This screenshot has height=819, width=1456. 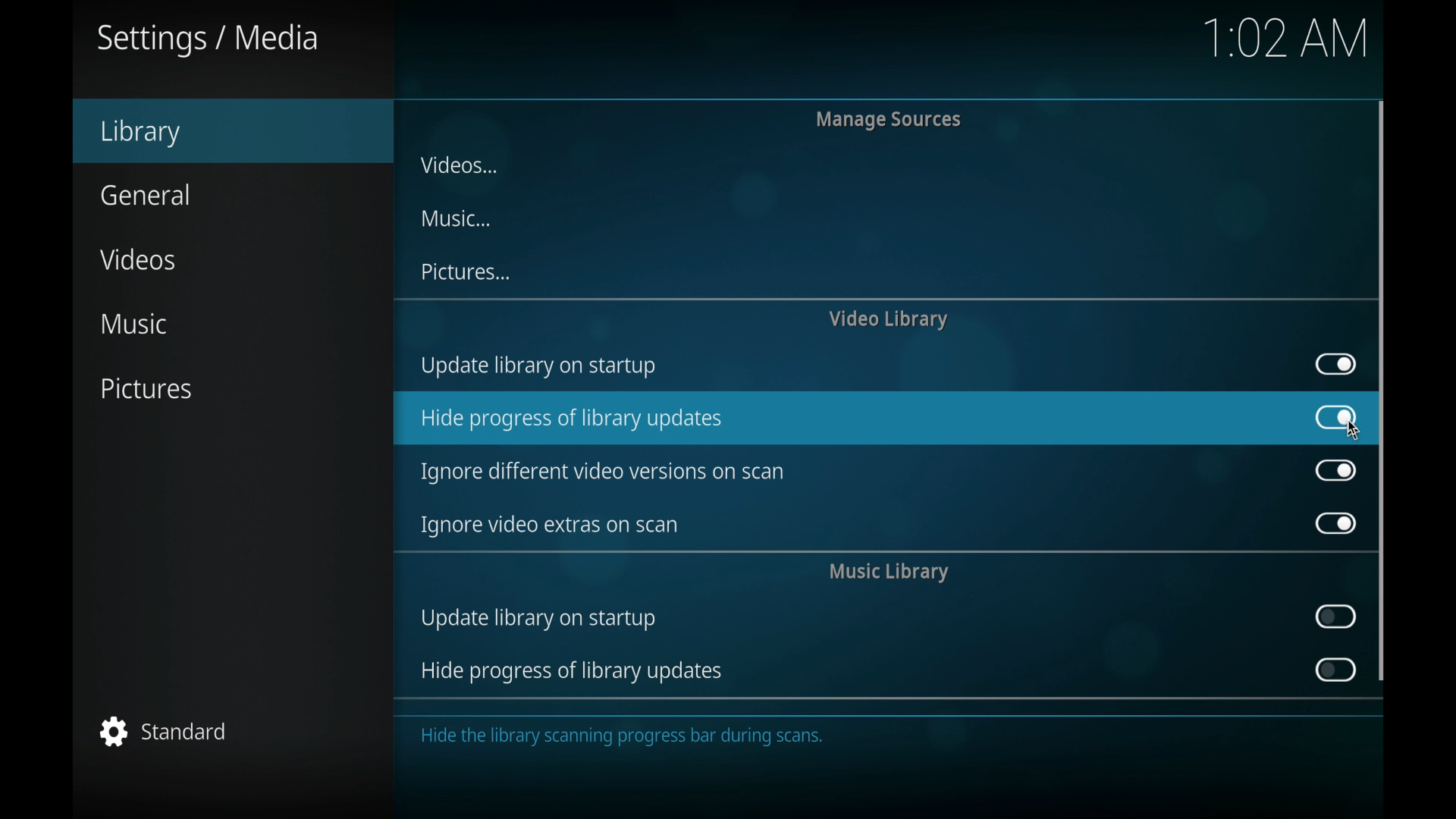 I want to click on videos, so click(x=136, y=259).